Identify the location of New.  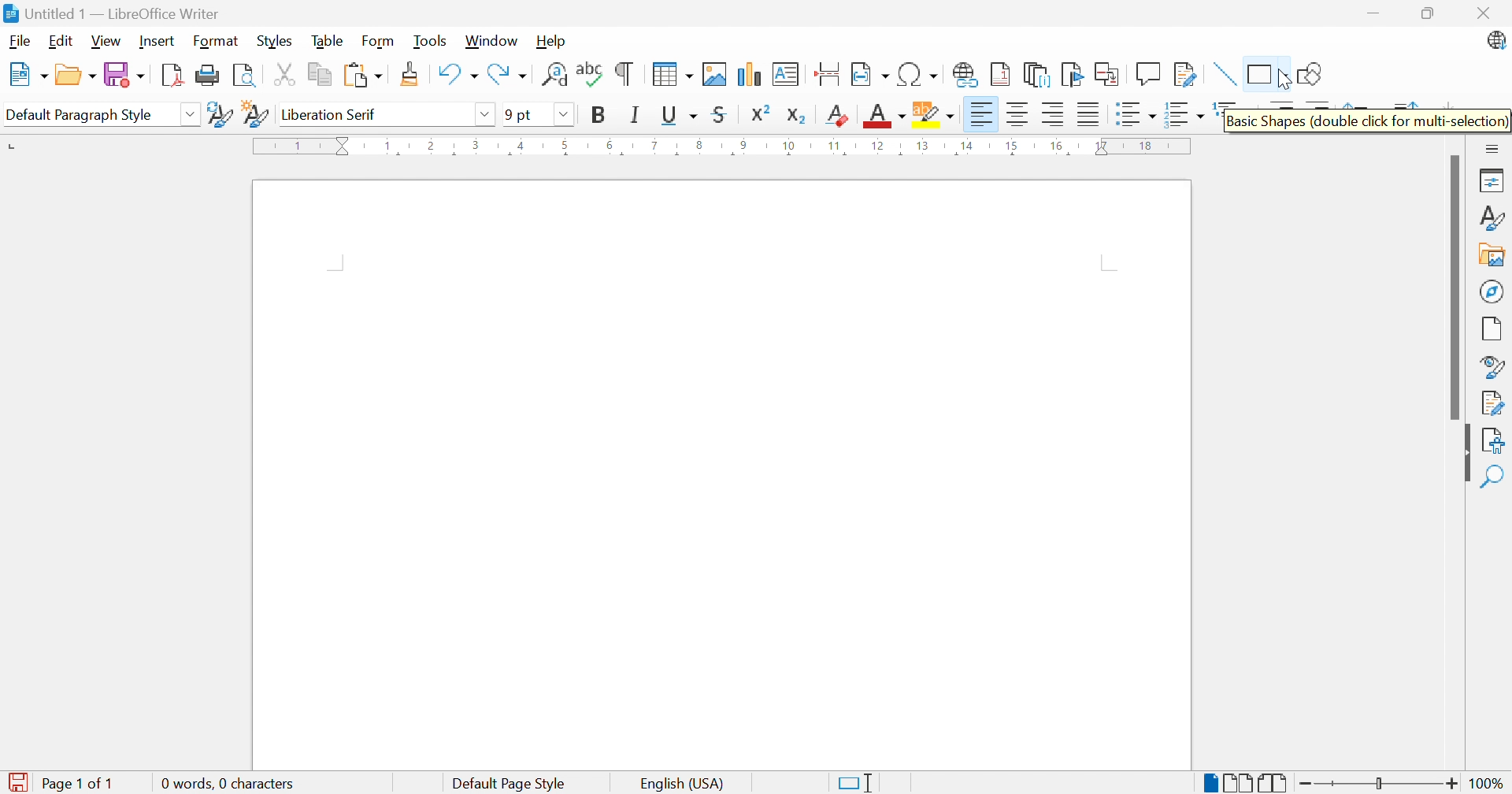
(28, 75).